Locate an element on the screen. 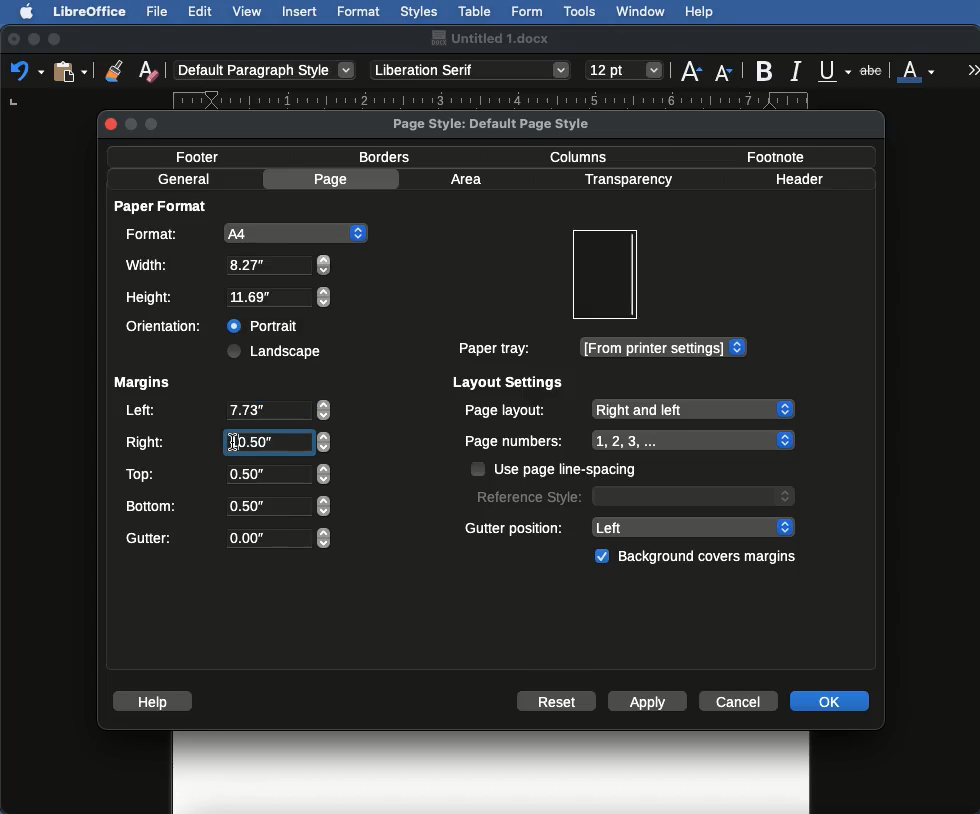 Image resolution: width=980 pixels, height=814 pixels. Close is located at coordinates (14, 40).